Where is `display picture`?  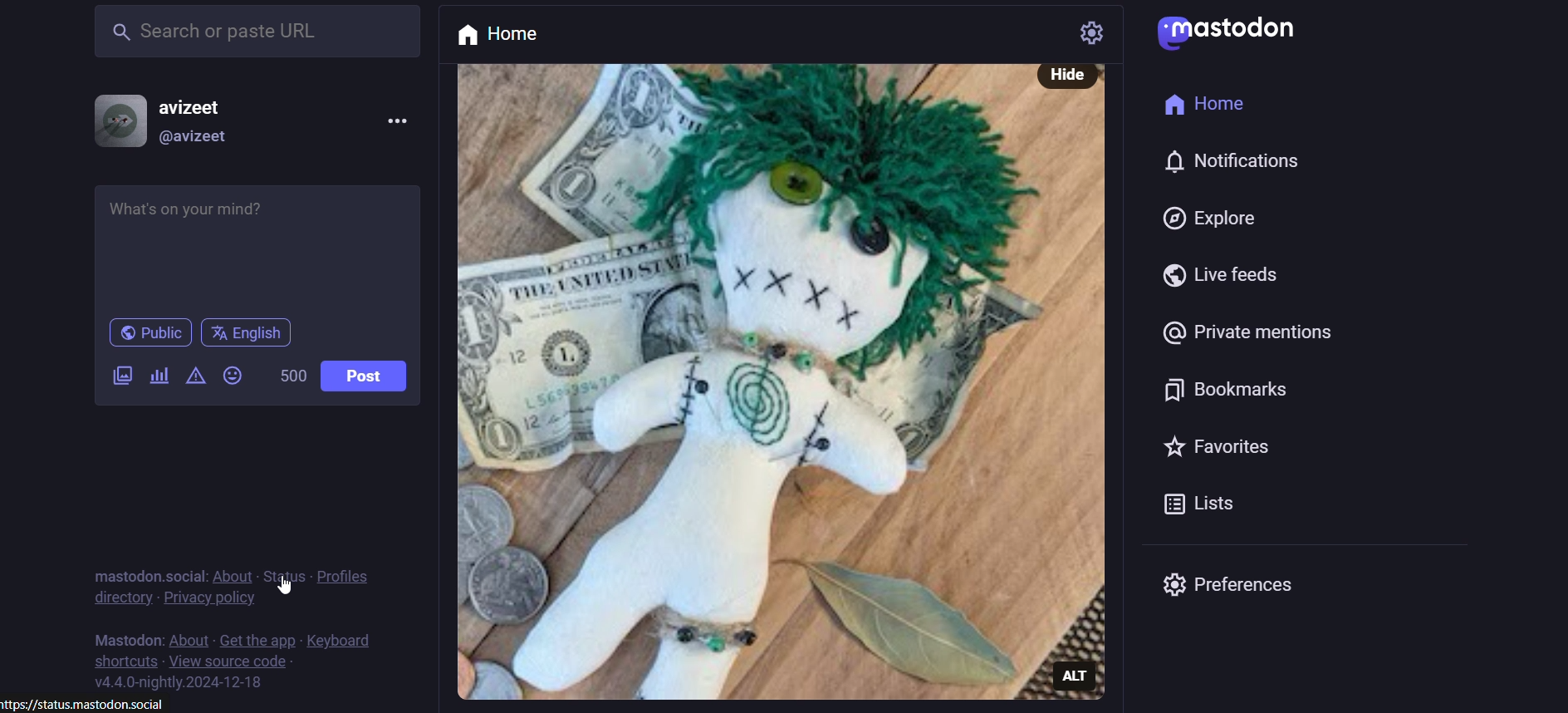 display picture is located at coordinates (115, 120).